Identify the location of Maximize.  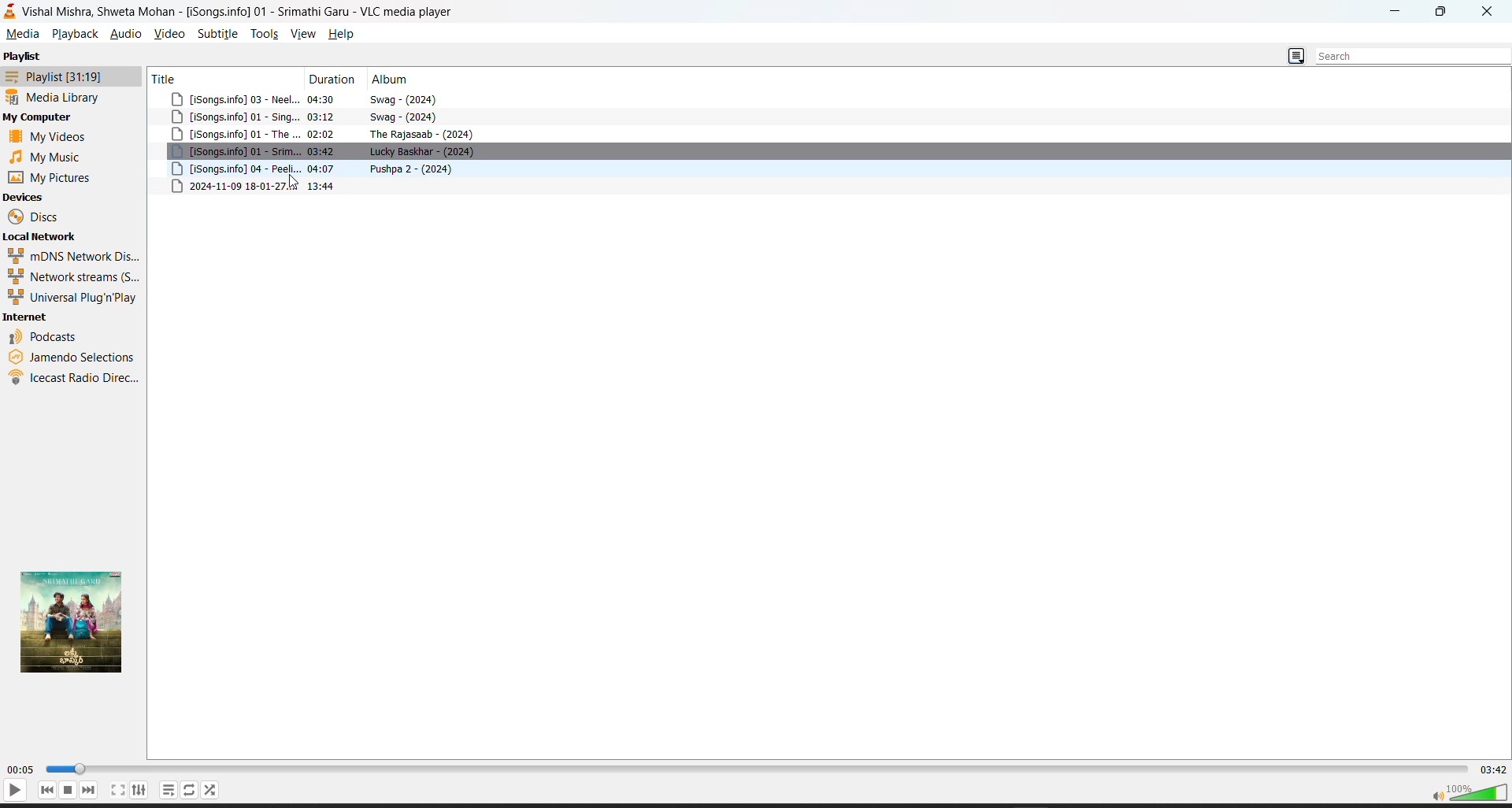
(1440, 12).